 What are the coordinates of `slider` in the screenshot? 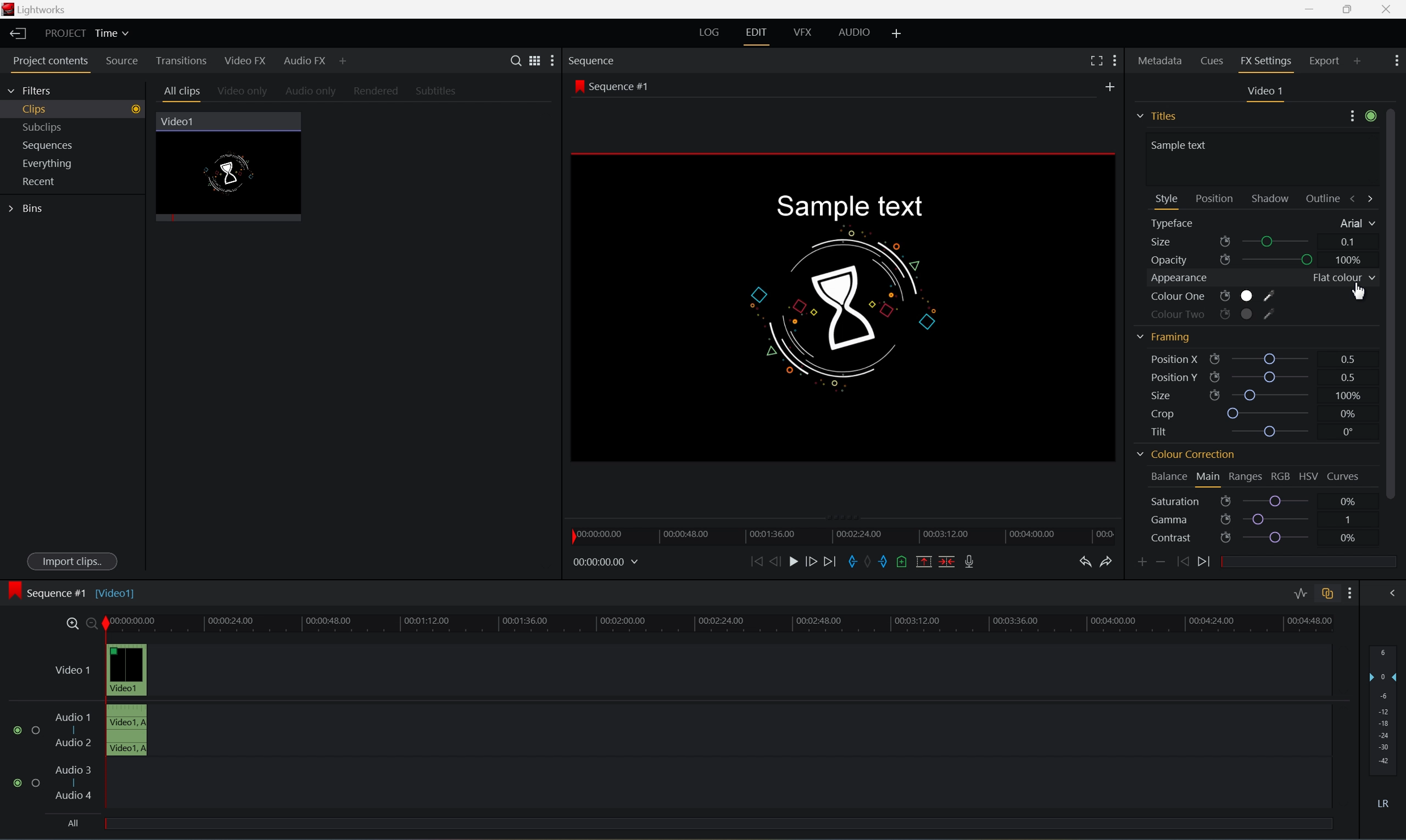 It's located at (1280, 260).